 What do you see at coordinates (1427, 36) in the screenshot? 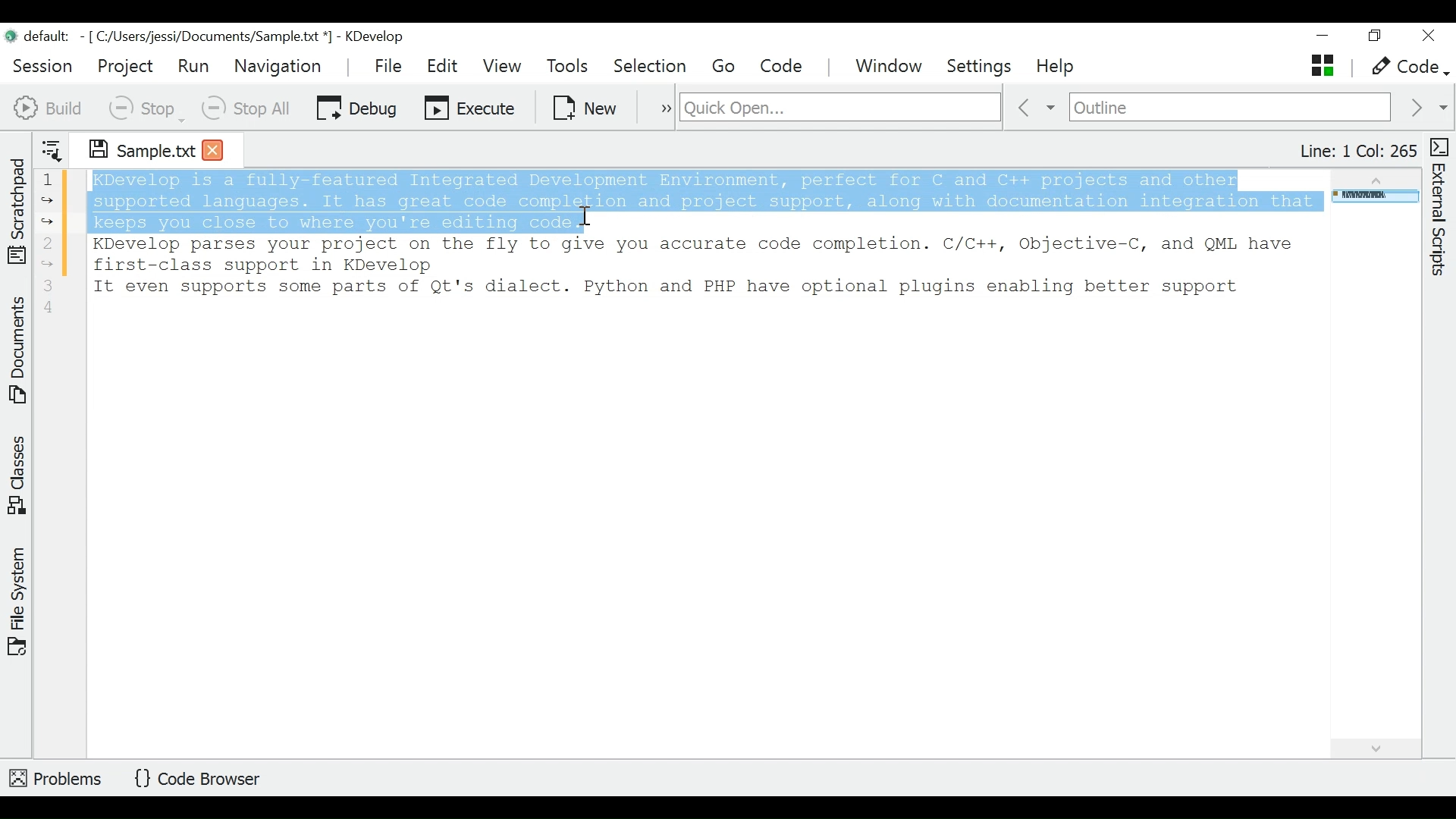
I see `Close` at bounding box center [1427, 36].